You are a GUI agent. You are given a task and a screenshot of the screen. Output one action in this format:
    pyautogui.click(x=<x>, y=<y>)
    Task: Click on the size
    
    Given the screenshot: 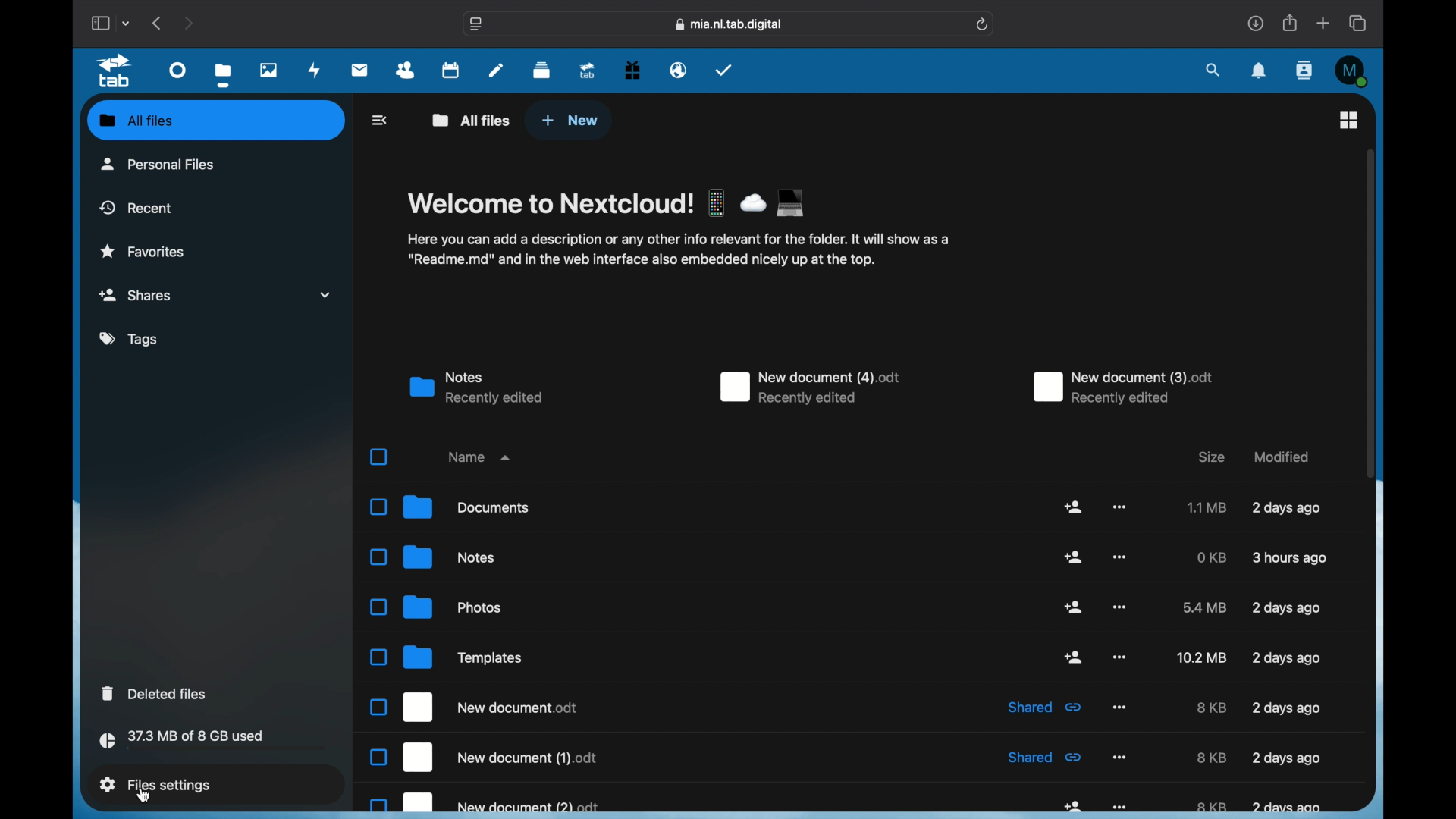 What is the action you would take?
    pyautogui.click(x=1203, y=657)
    